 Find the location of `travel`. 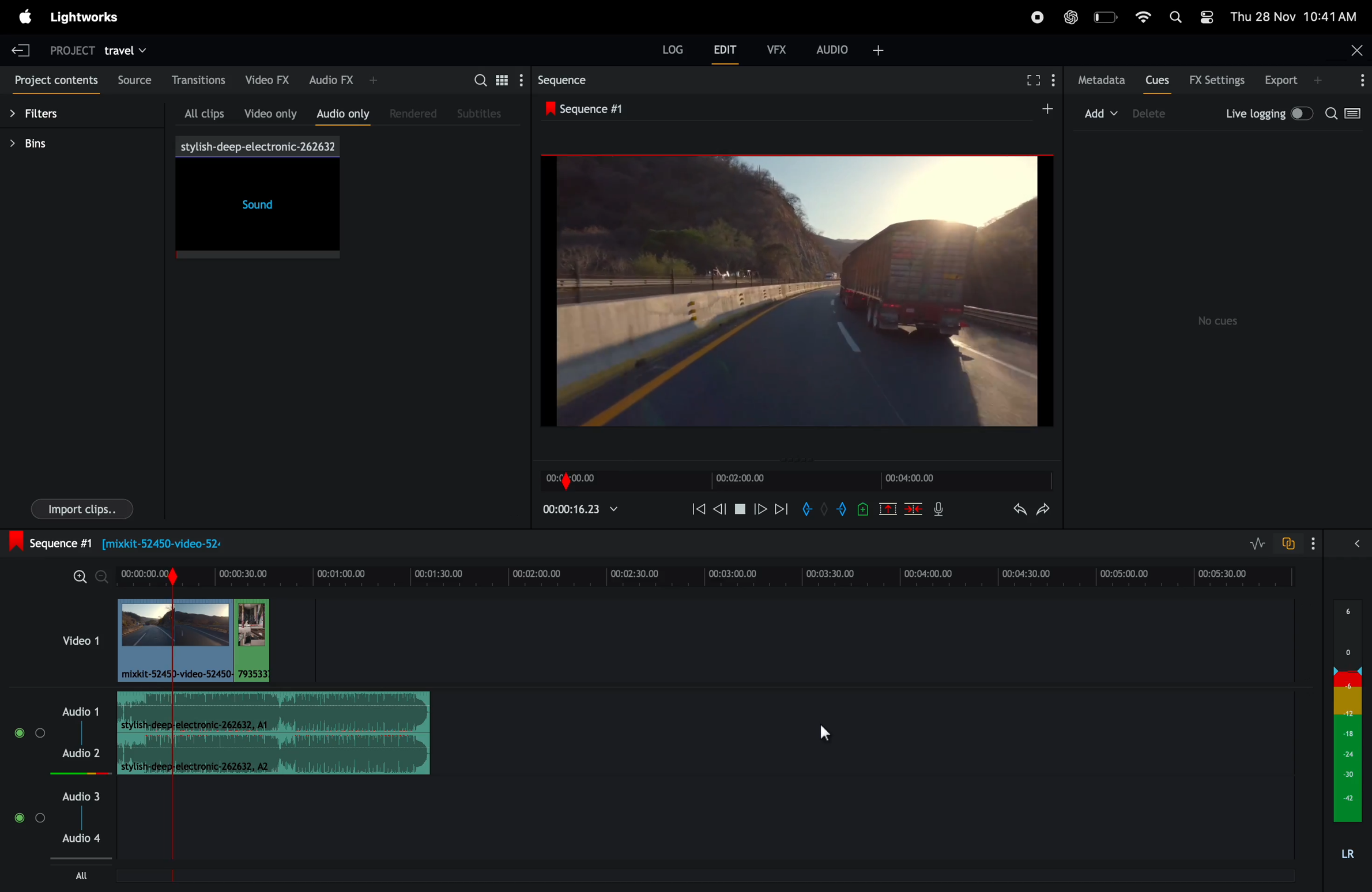

travel is located at coordinates (126, 53).